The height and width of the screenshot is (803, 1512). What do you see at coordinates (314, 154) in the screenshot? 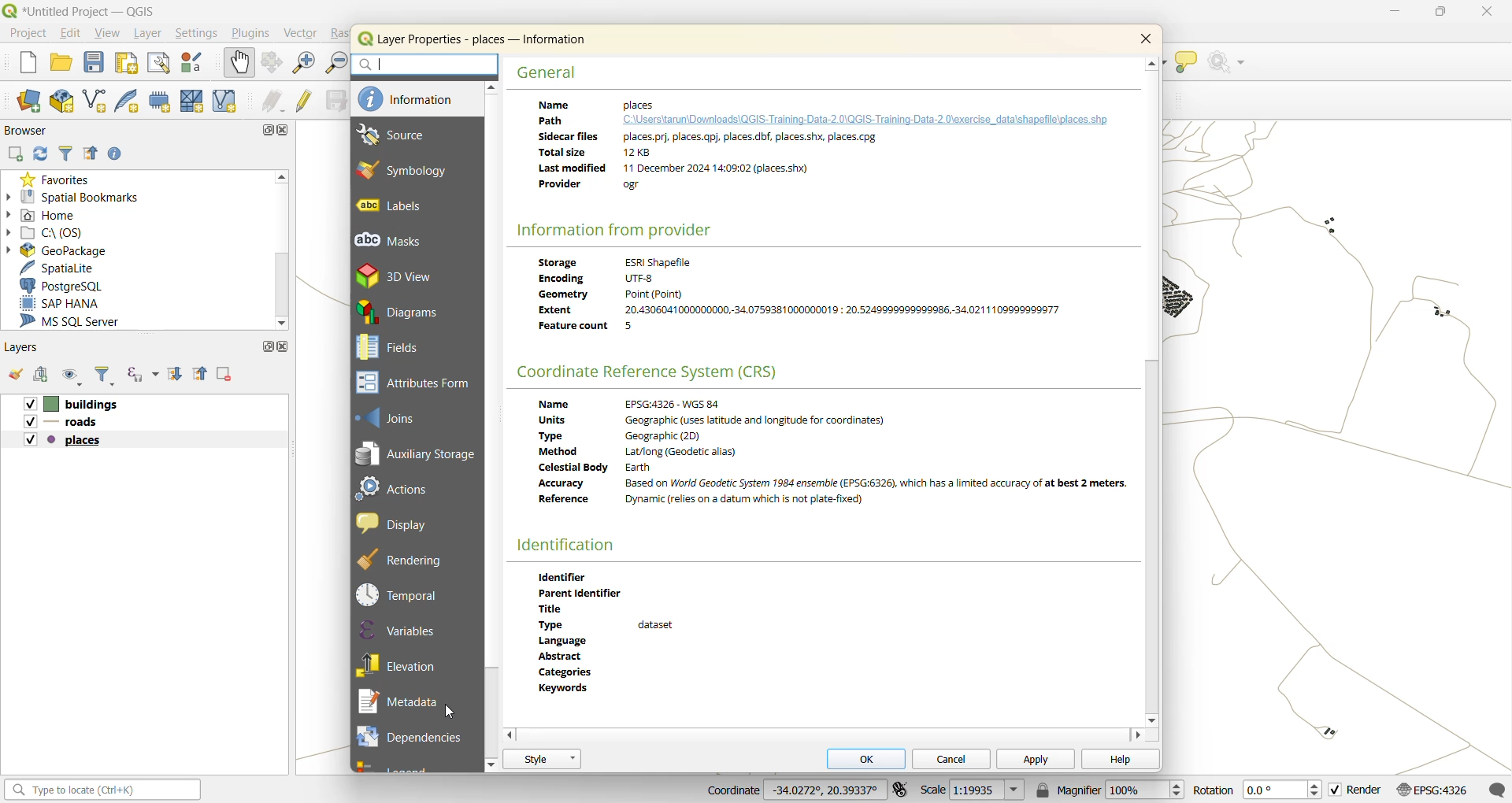
I see `close` at bounding box center [314, 154].